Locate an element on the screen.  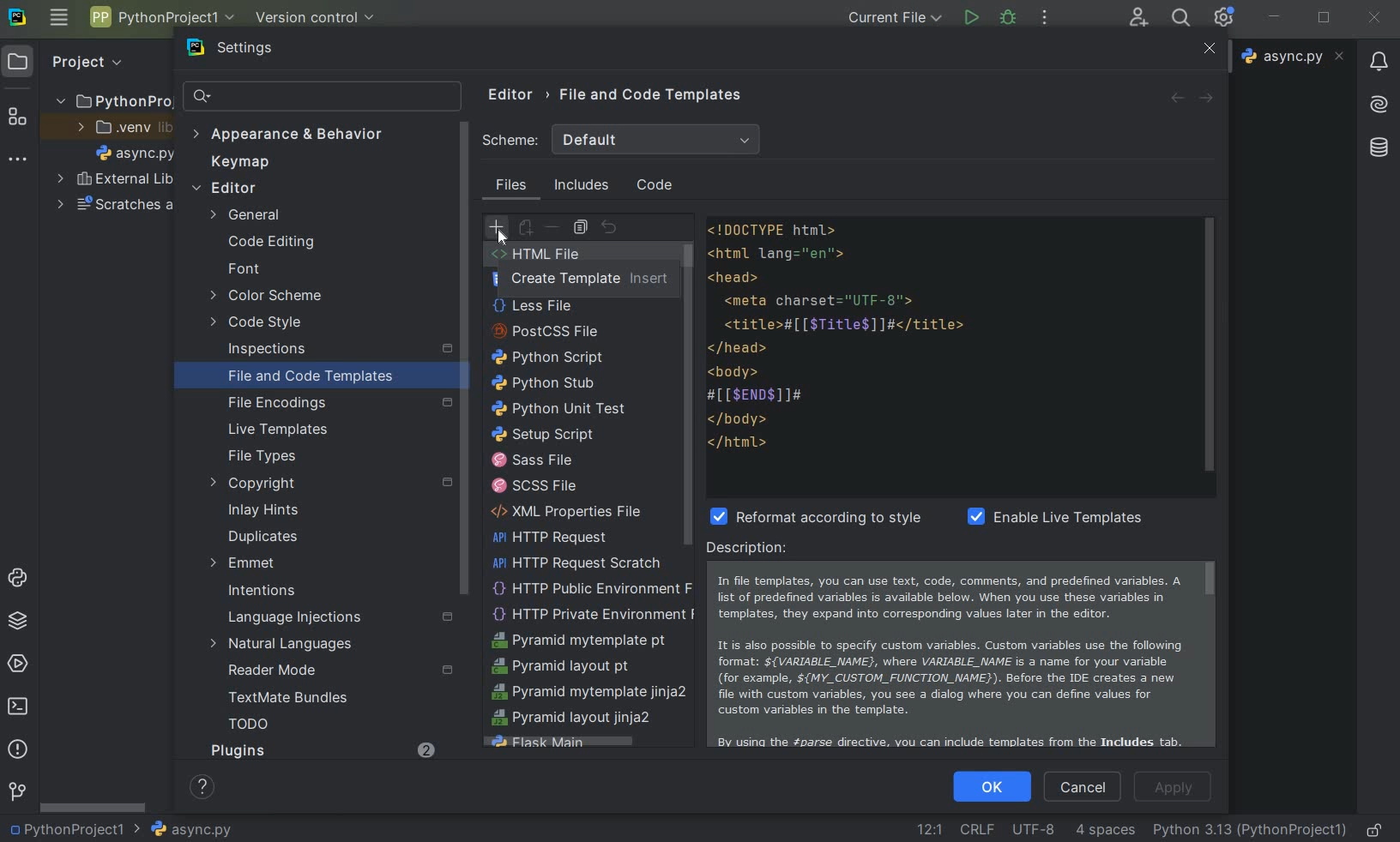
emmet is located at coordinates (259, 564).